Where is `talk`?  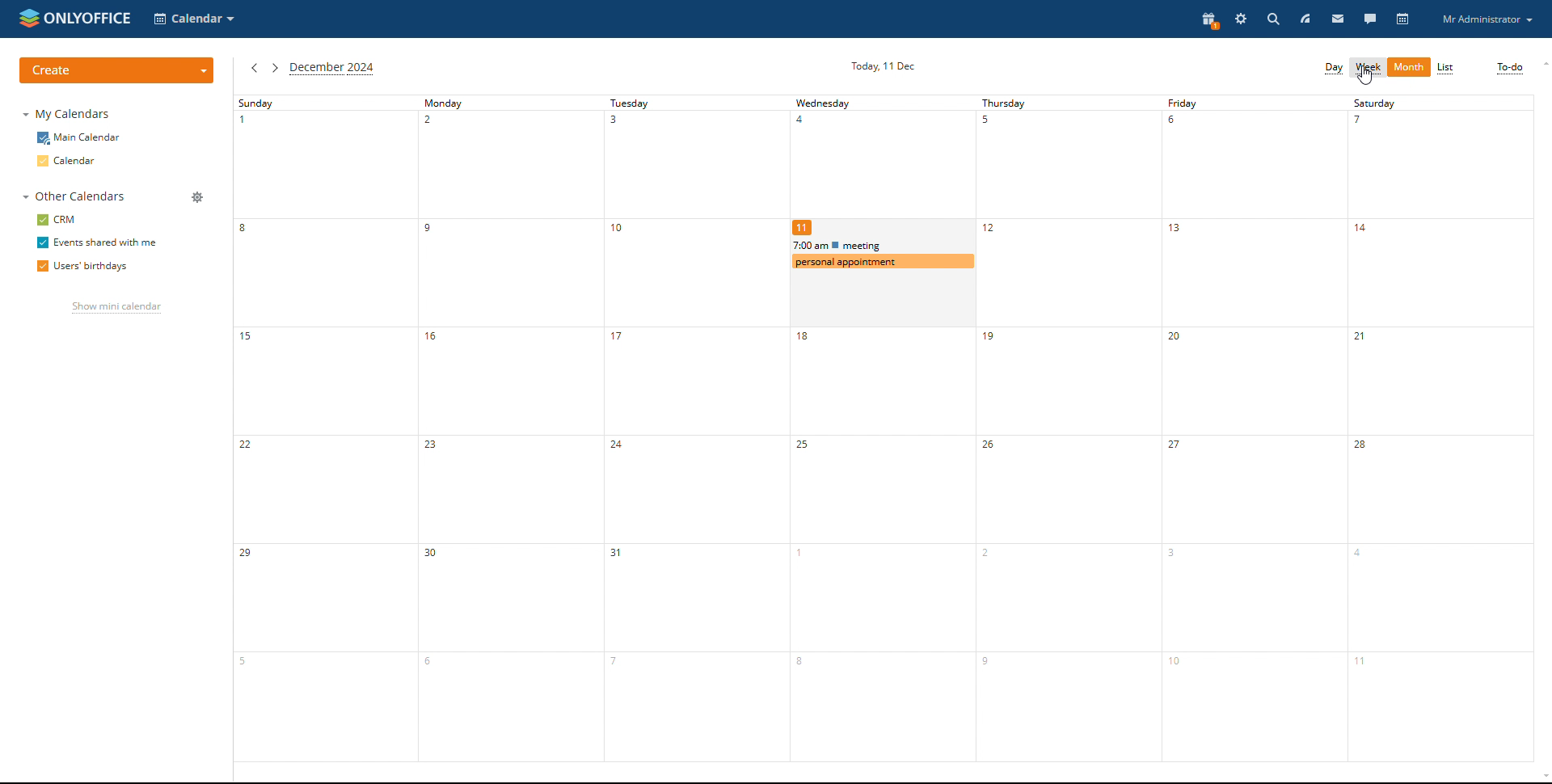
talk is located at coordinates (1371, 18).